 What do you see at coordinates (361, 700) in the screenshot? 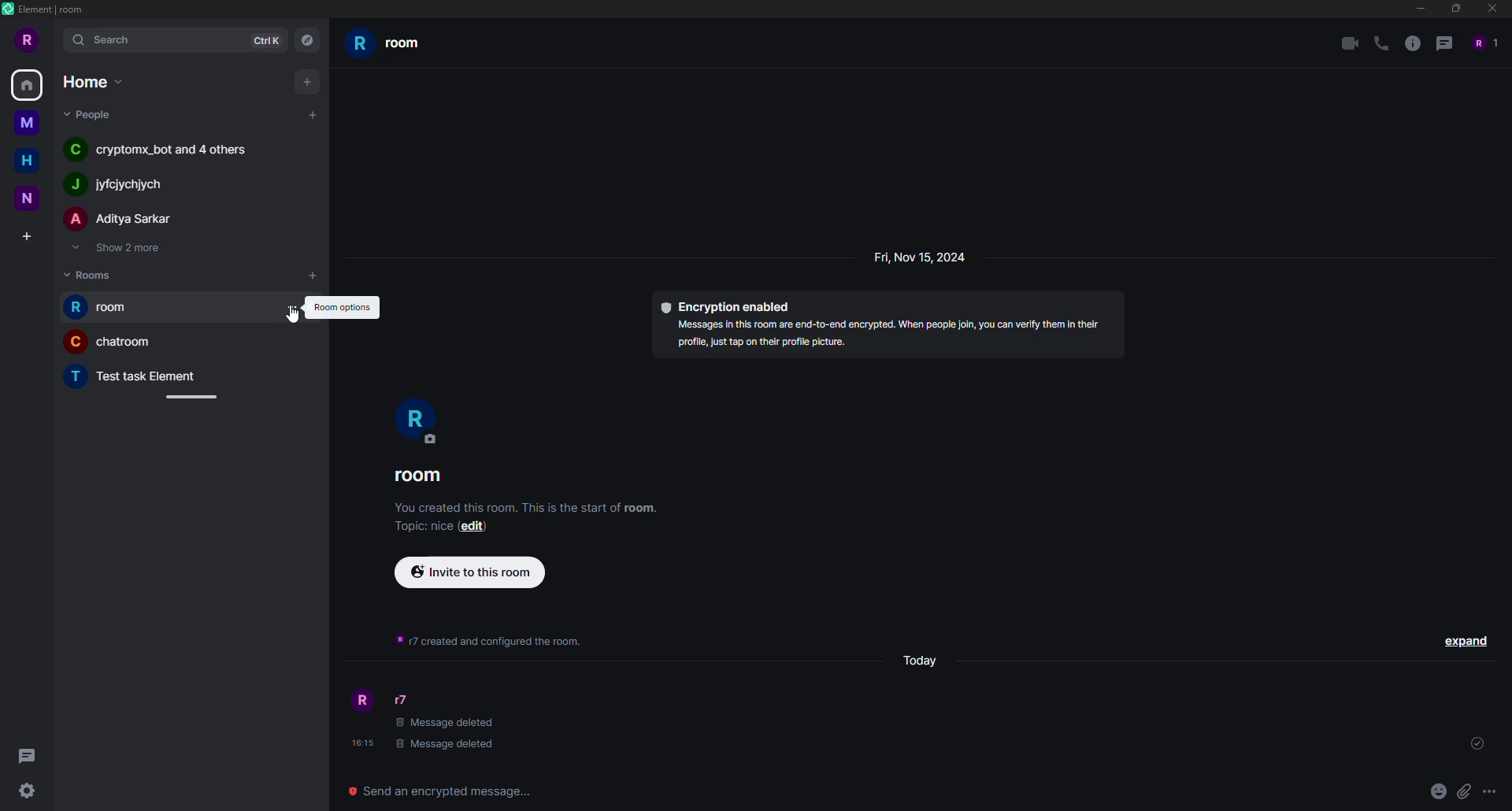
I see `profile` at bounding box center [361, 700].